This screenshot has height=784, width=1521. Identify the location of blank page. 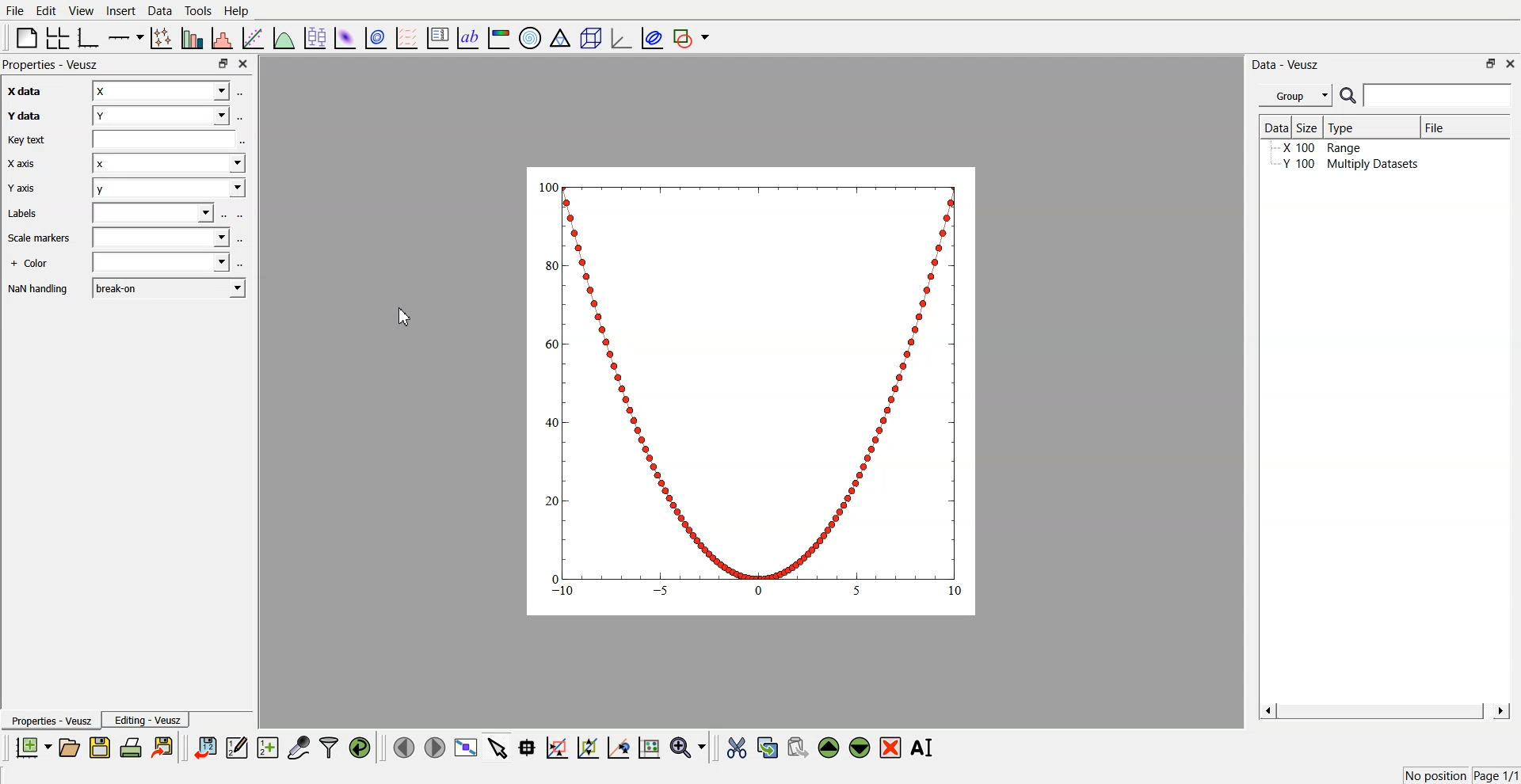
(23, 36).